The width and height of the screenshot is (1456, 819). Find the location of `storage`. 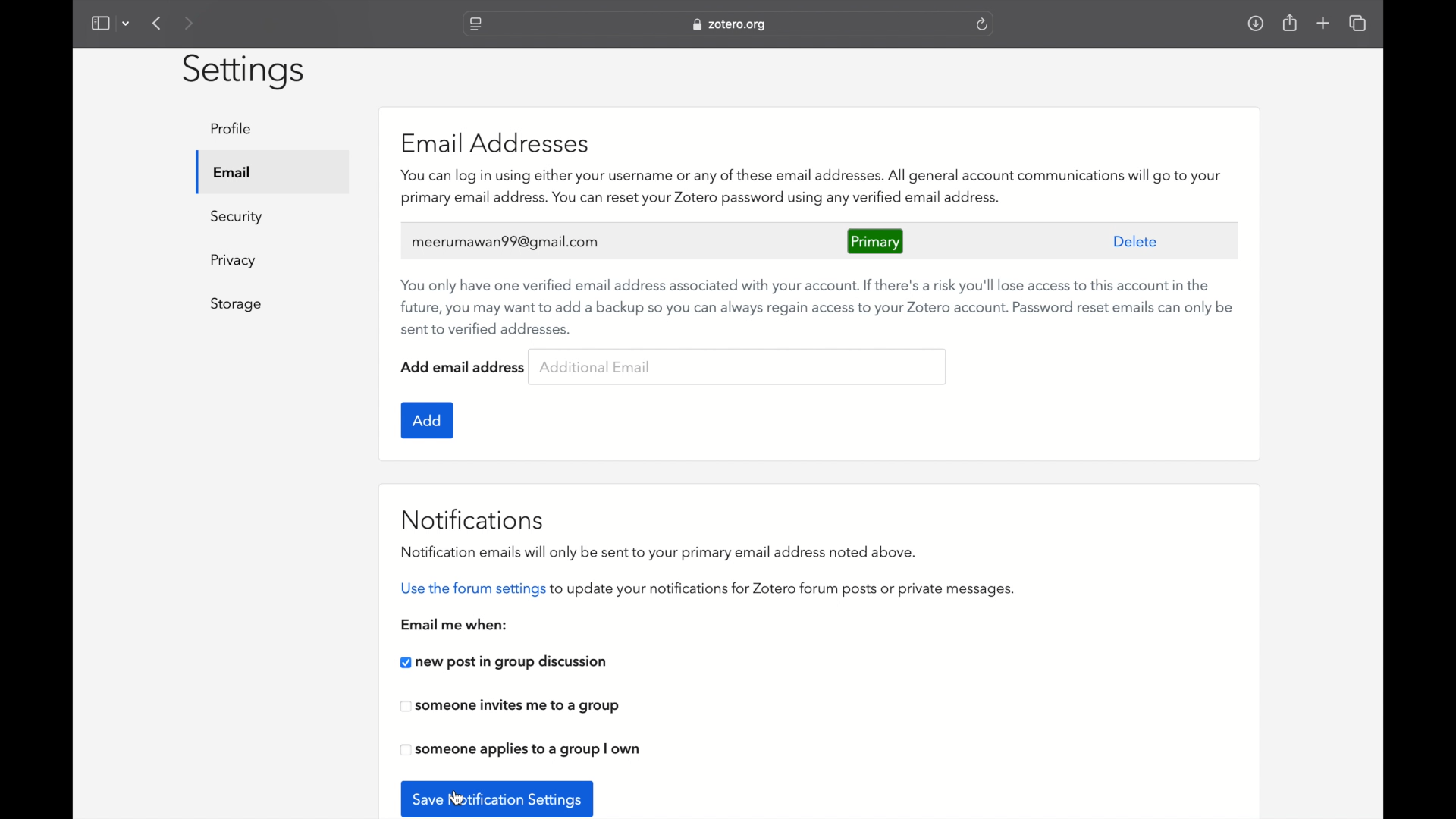

storage is located at coordinates (238, 304).